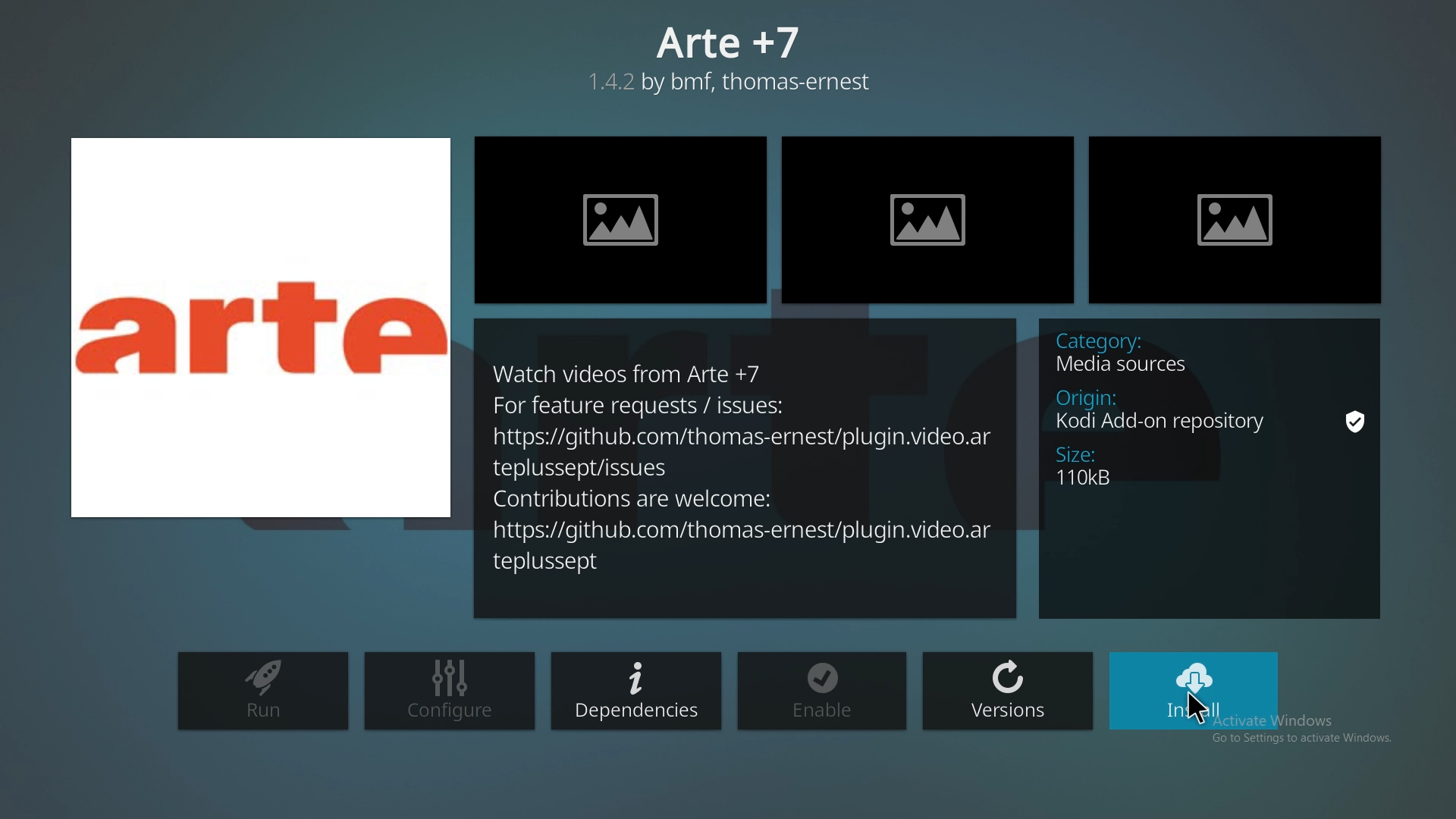 The image size is (1456, 819). I want to click on configure, so click(446, 691).